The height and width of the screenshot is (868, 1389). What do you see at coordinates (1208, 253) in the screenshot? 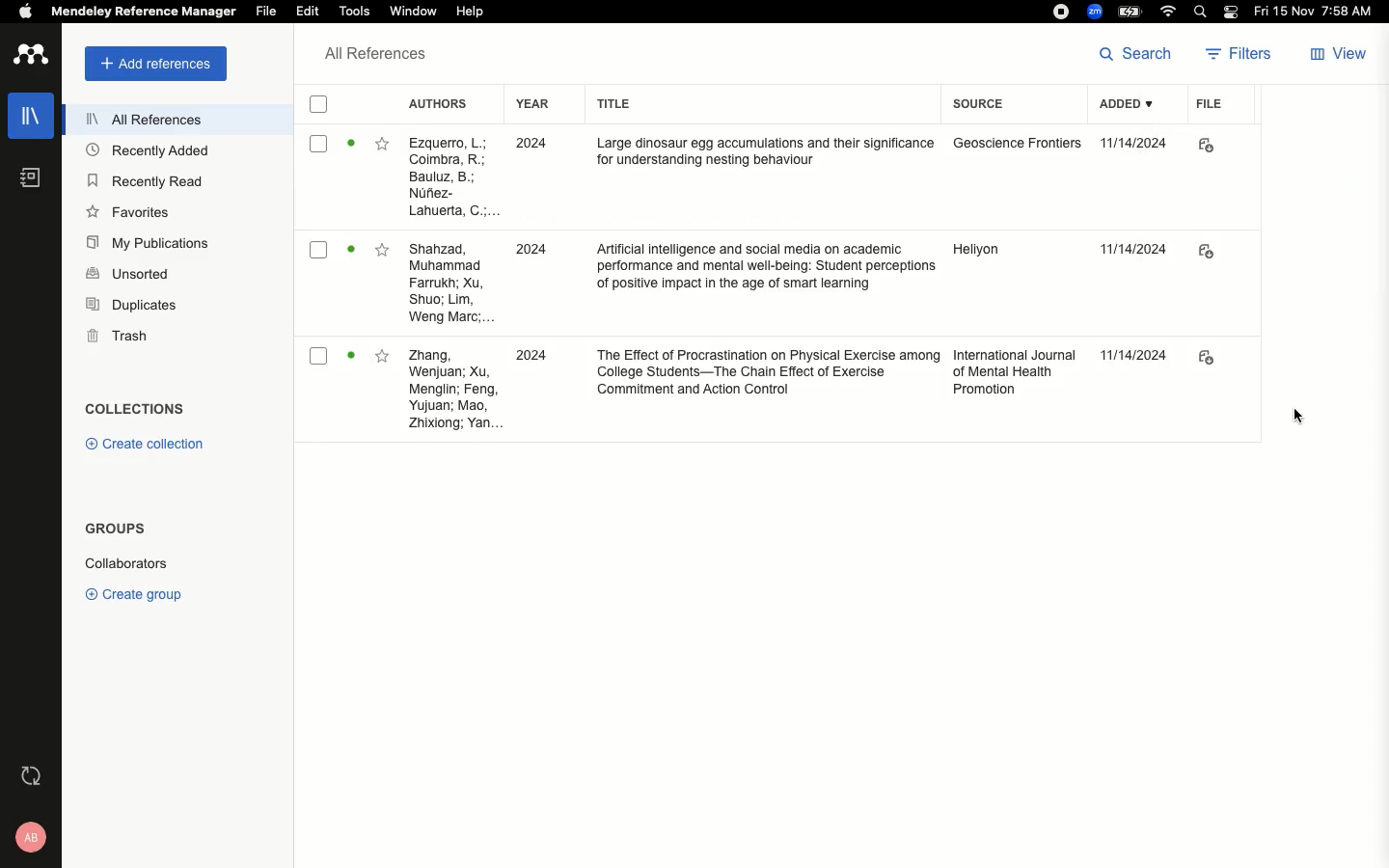
I see `pdf` at bounding box center [1208, 253].